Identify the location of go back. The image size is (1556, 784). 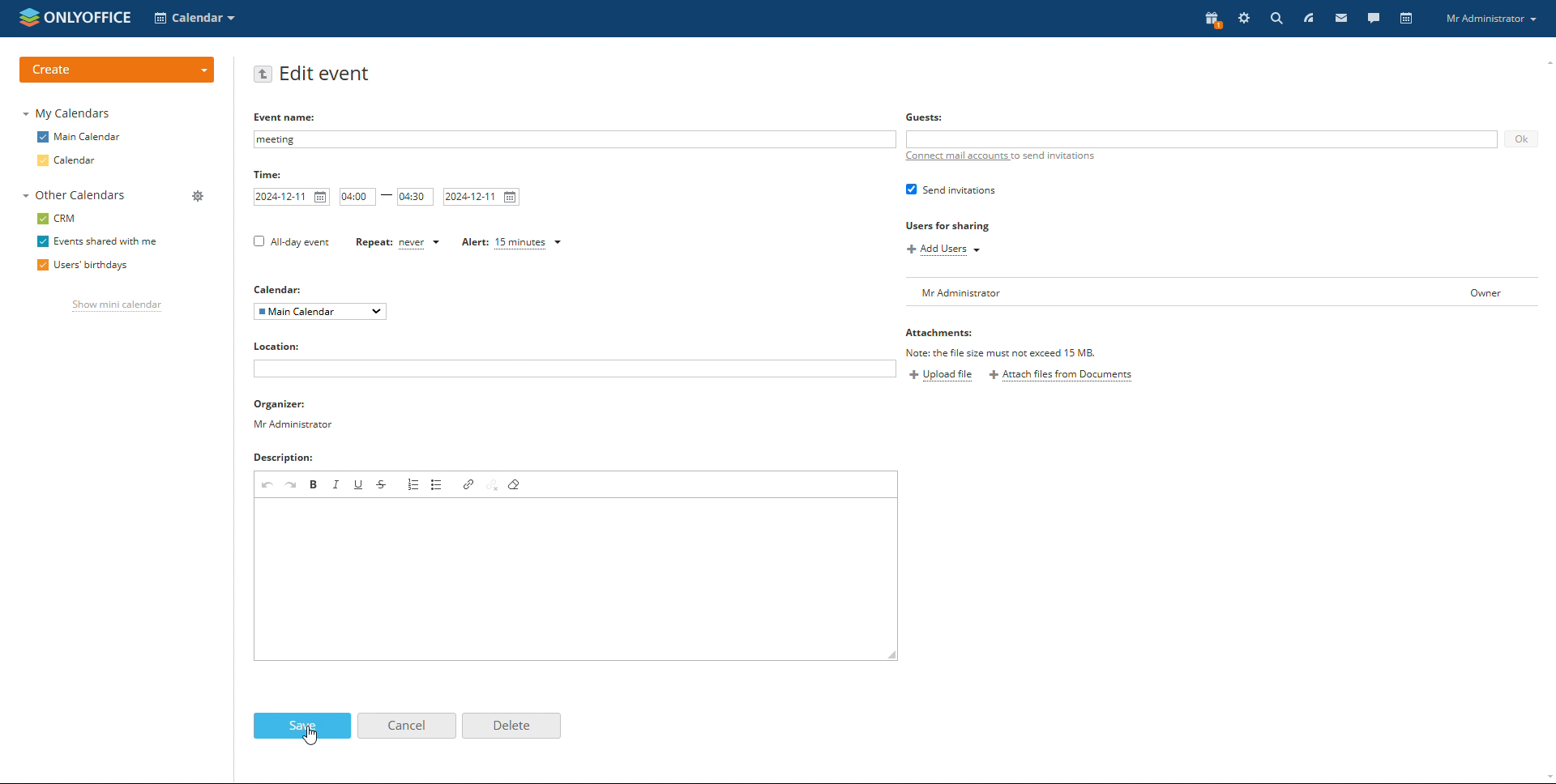
(263, 74).